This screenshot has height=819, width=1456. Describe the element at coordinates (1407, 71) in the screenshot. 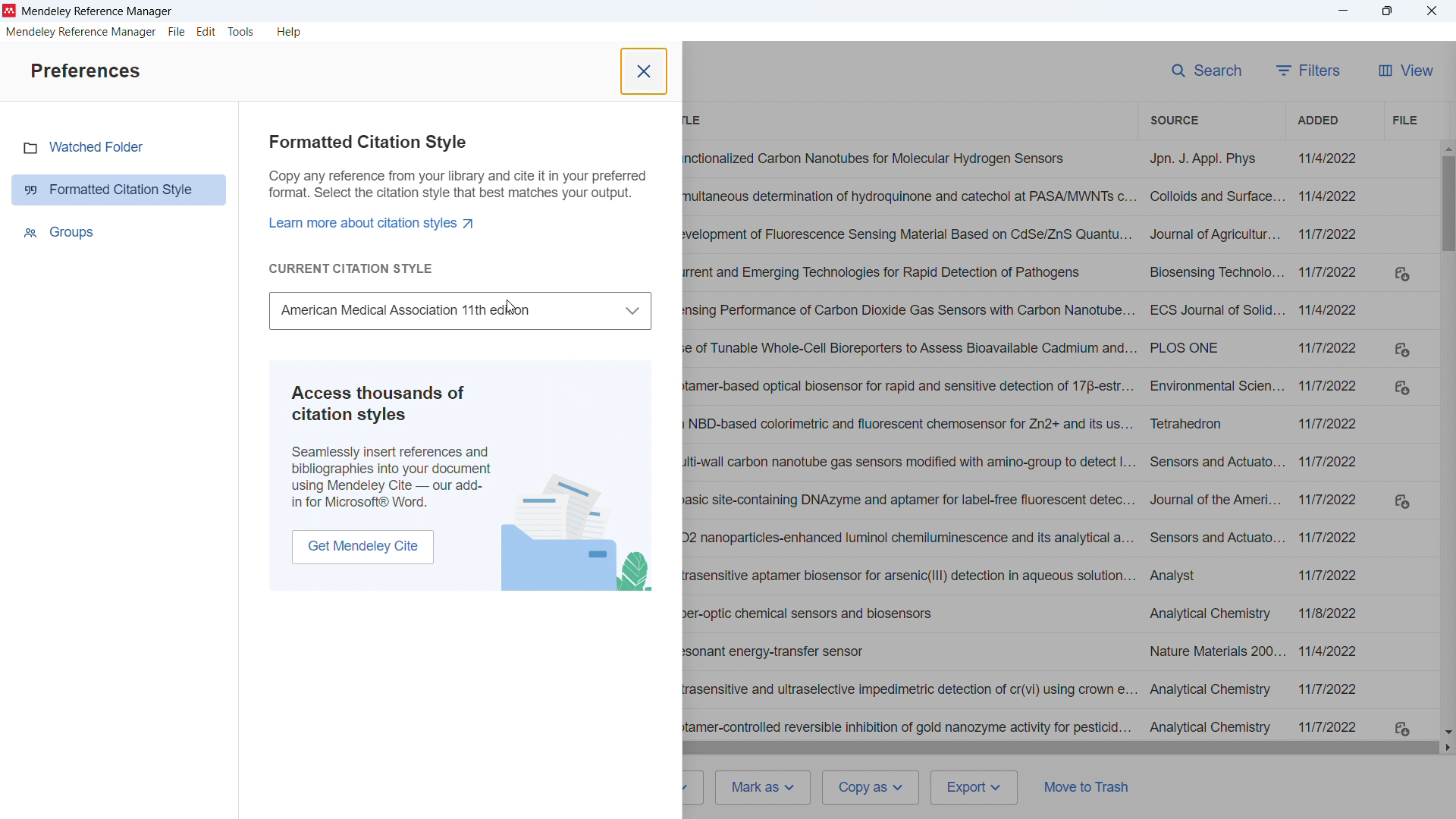

I see `View ` at that location.